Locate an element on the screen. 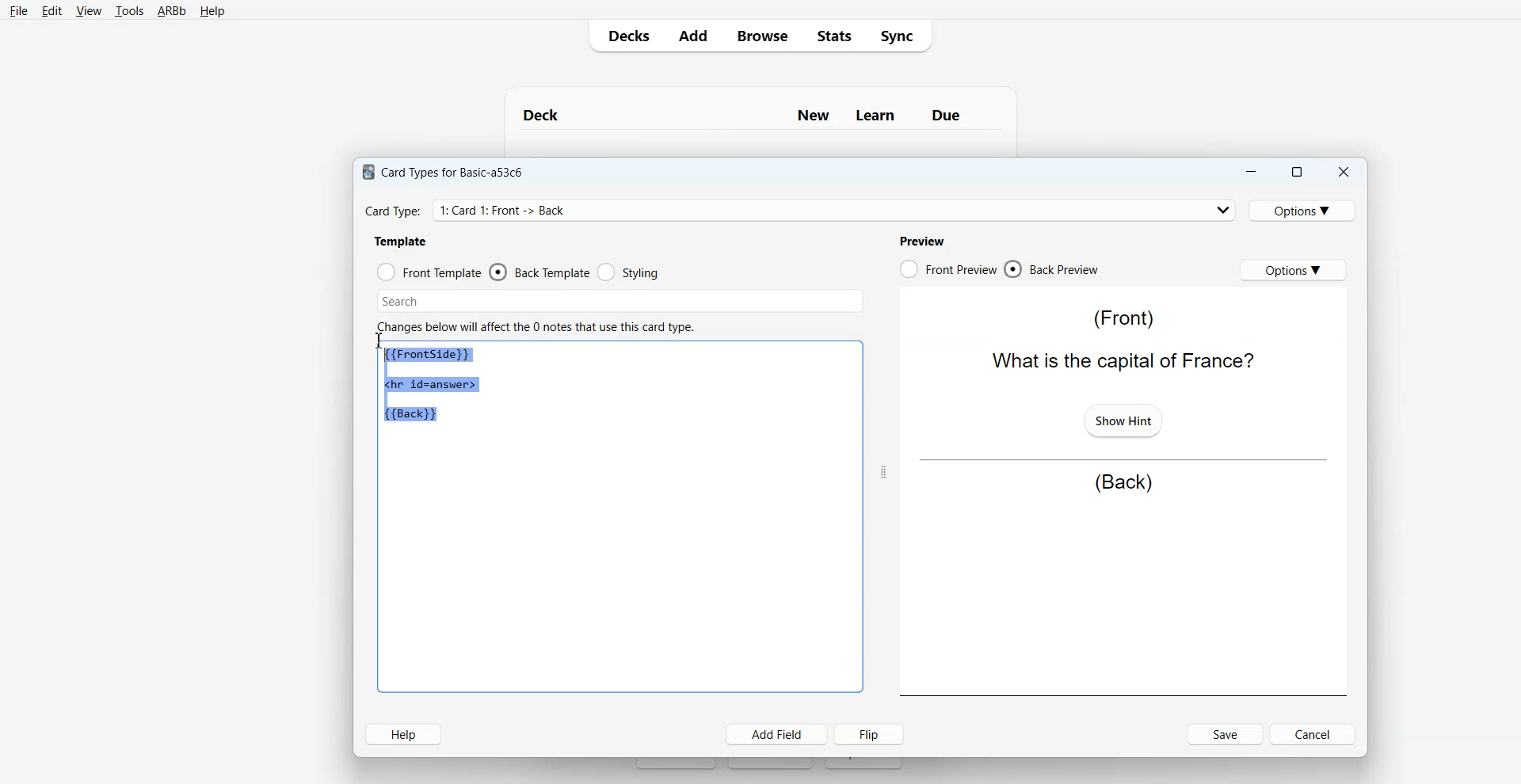 The width and height of the screenshot is (1521, 784). ARBb is located at coordinates (170, 12).